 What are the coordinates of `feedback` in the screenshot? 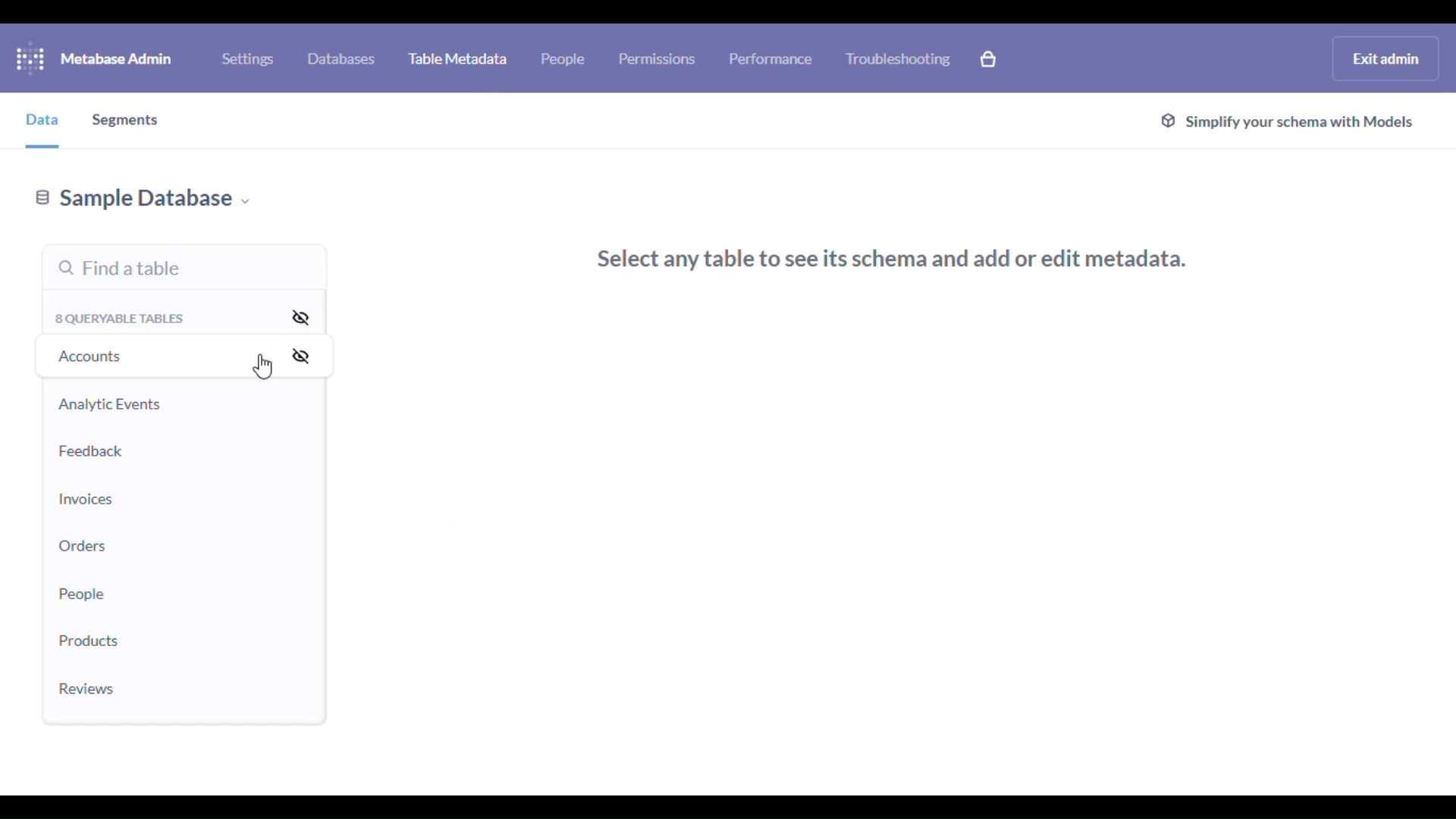 It's located at (92, 451).